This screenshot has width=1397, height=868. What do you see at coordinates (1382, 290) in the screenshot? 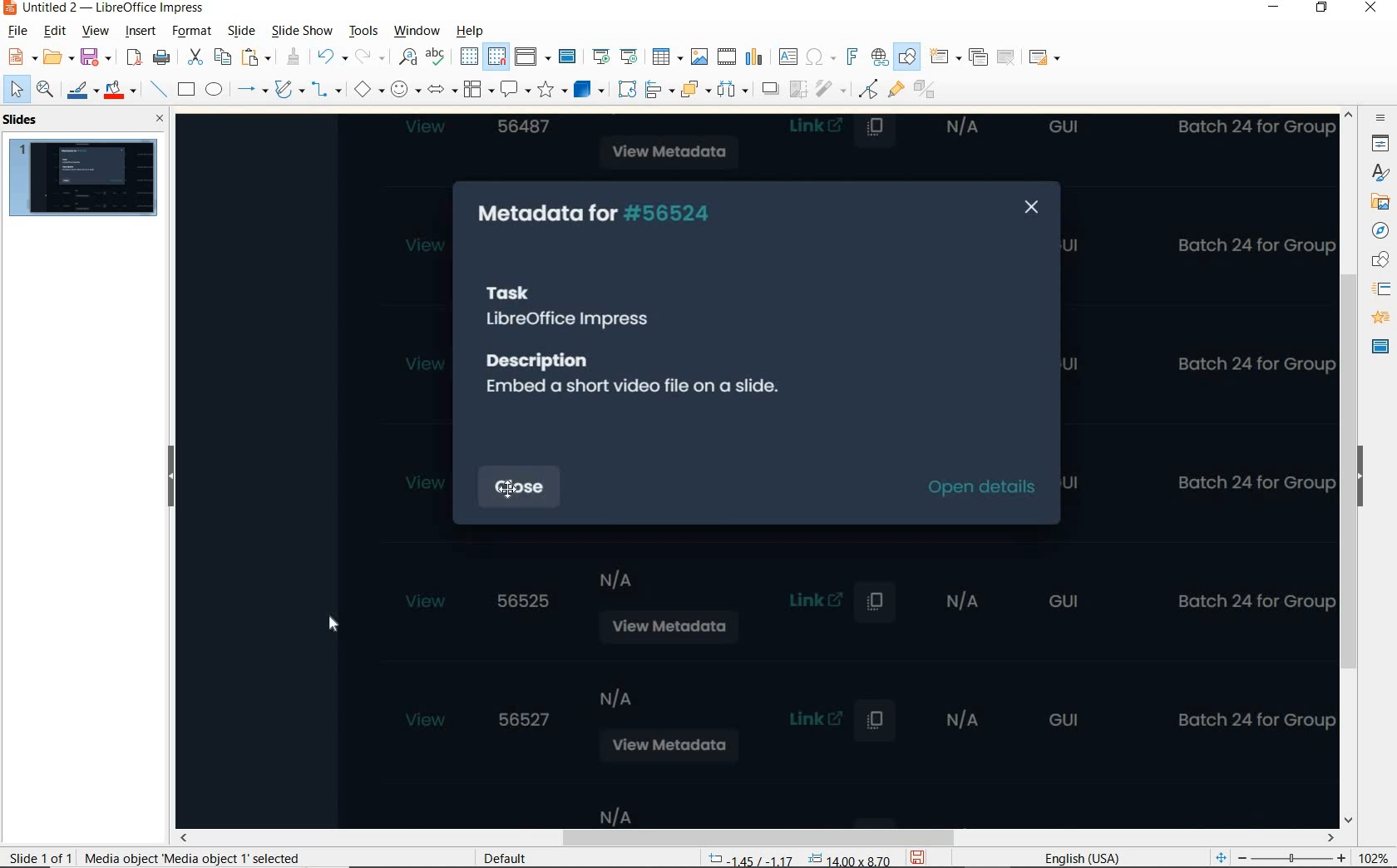
I see `SLIDE TRANSITION` at bounding box center [1382, 290].